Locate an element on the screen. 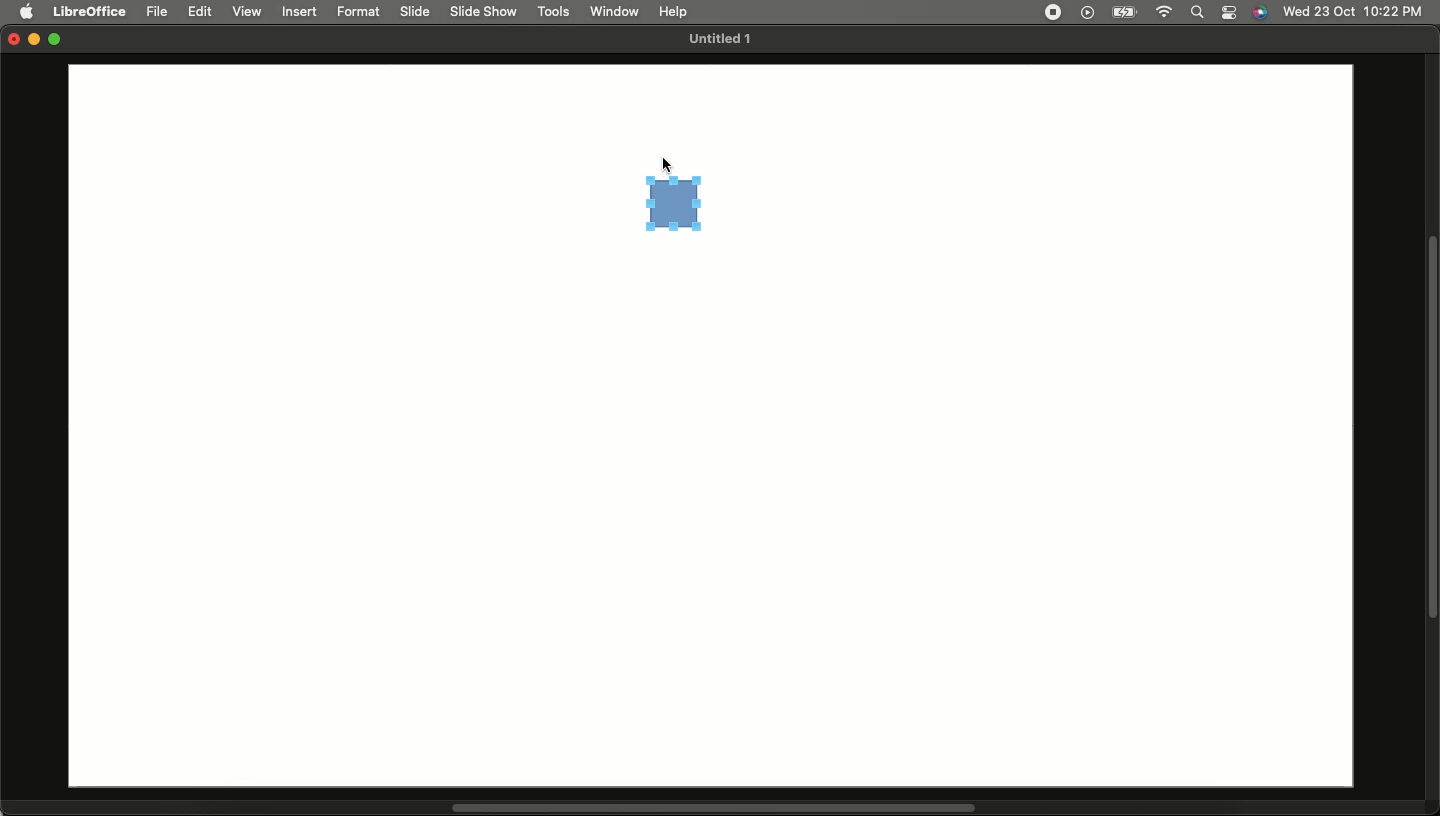 The image size is (1440, 816). cursor is located at coordinates (666, 165).